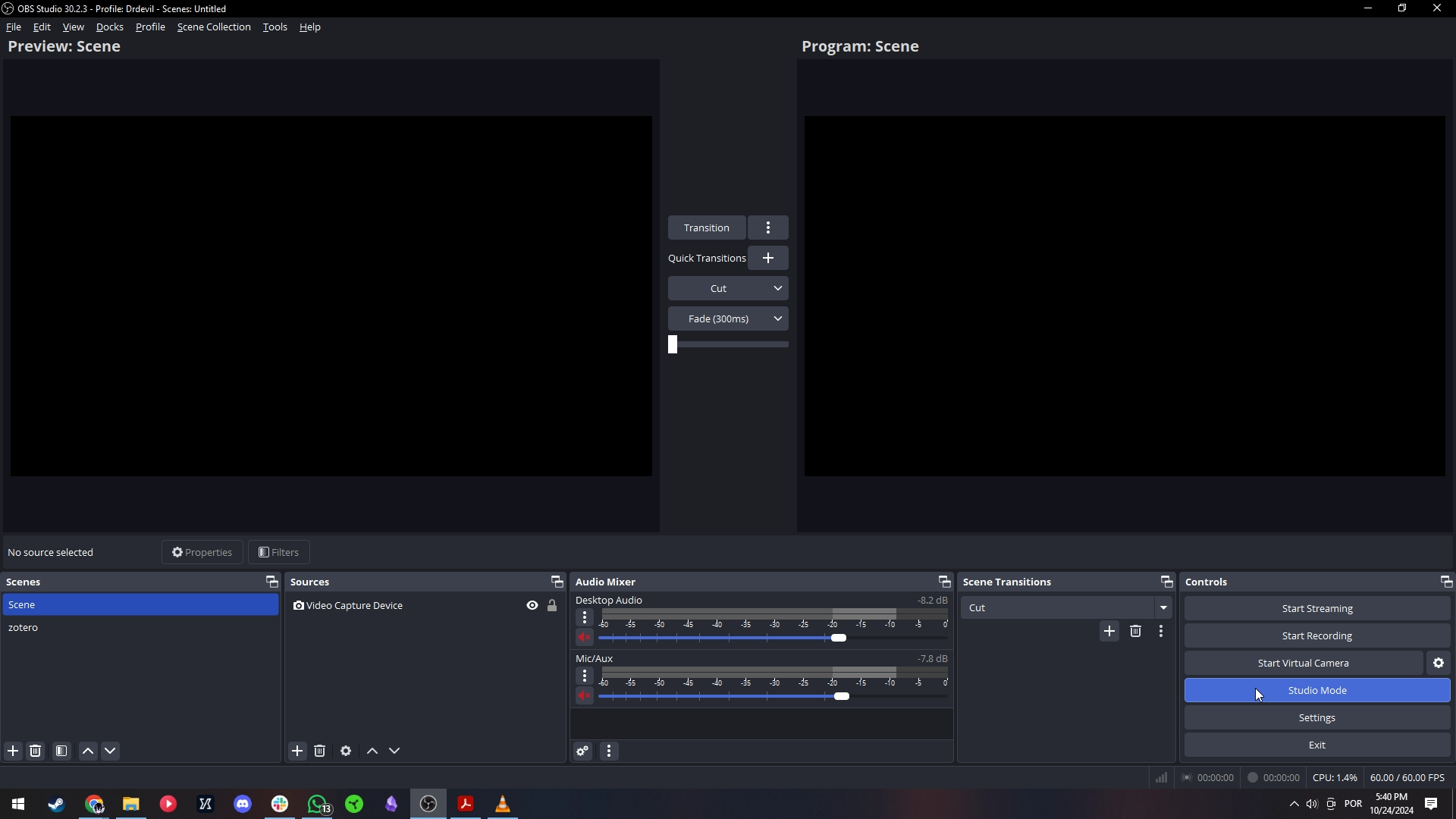  Describe the element at coordinates (390, 803) in the screenshot. I see `Diamond` at that location.